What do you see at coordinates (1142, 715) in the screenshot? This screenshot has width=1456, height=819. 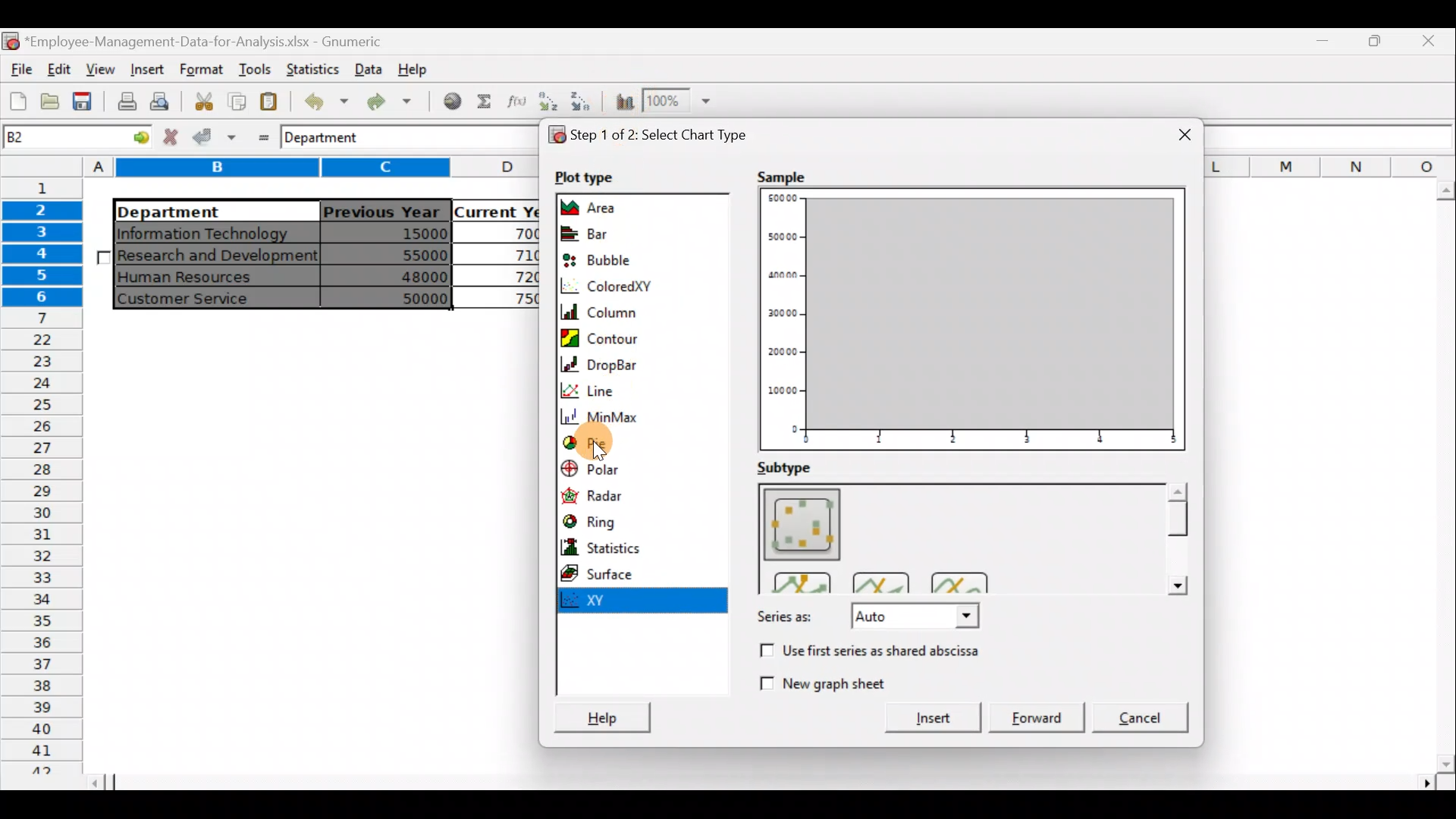 I see `Cancel` at bounding box center [1142, 715].